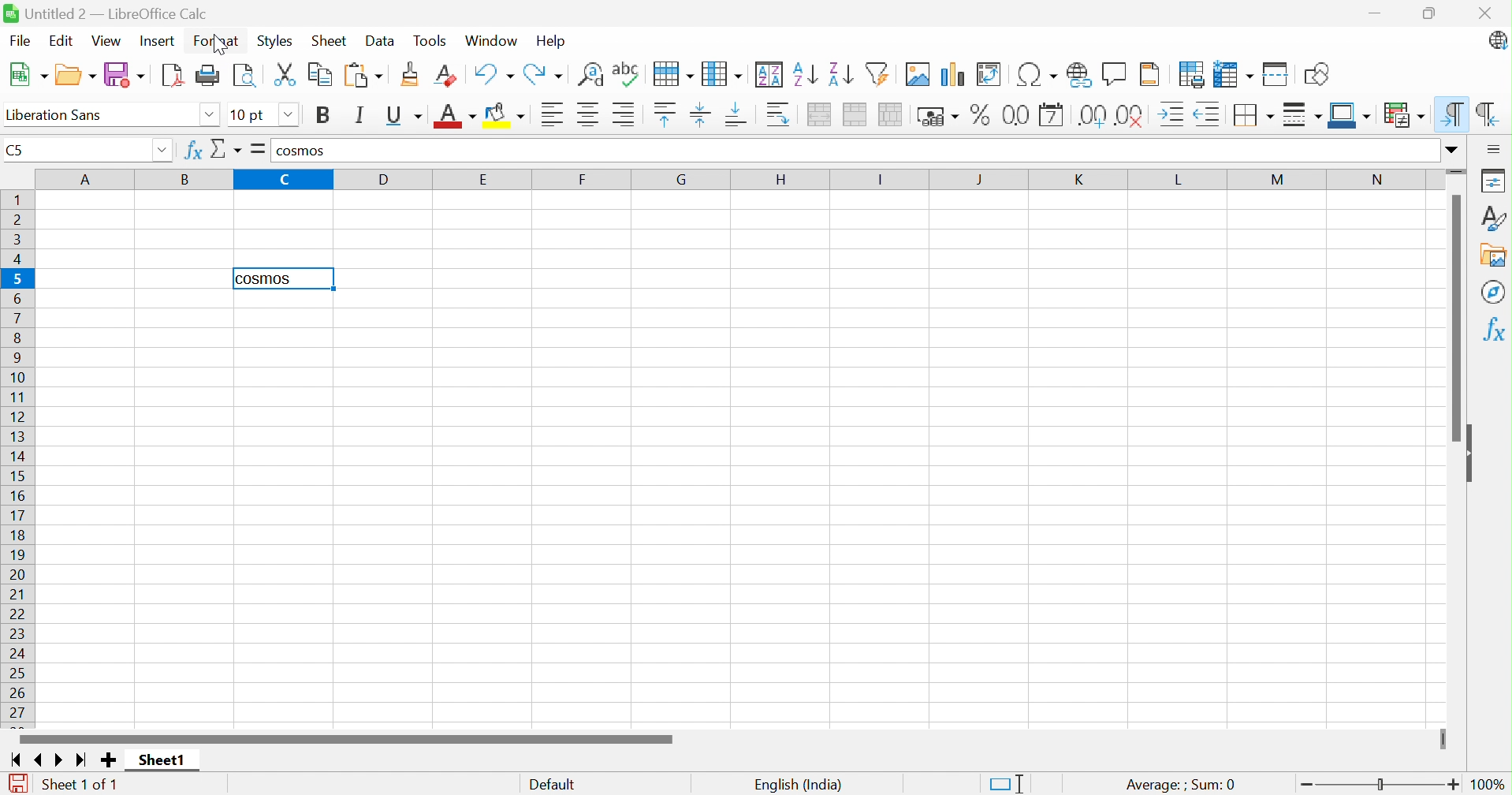  What do you see at coordinates (1487, 13) in the screenshot?
I see `Close` at bounding box center [1487, 13].